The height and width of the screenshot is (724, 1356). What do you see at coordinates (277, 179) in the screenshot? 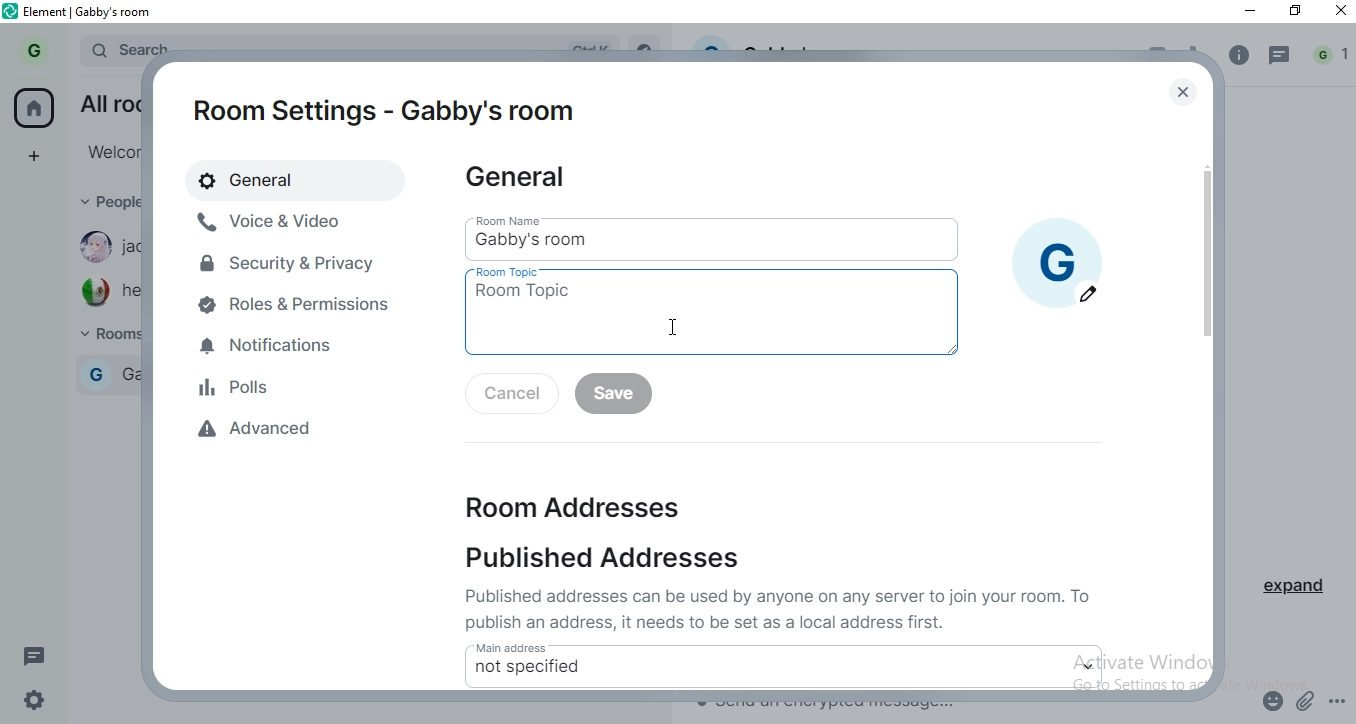
I see `general` at bounding box center [277, 179].